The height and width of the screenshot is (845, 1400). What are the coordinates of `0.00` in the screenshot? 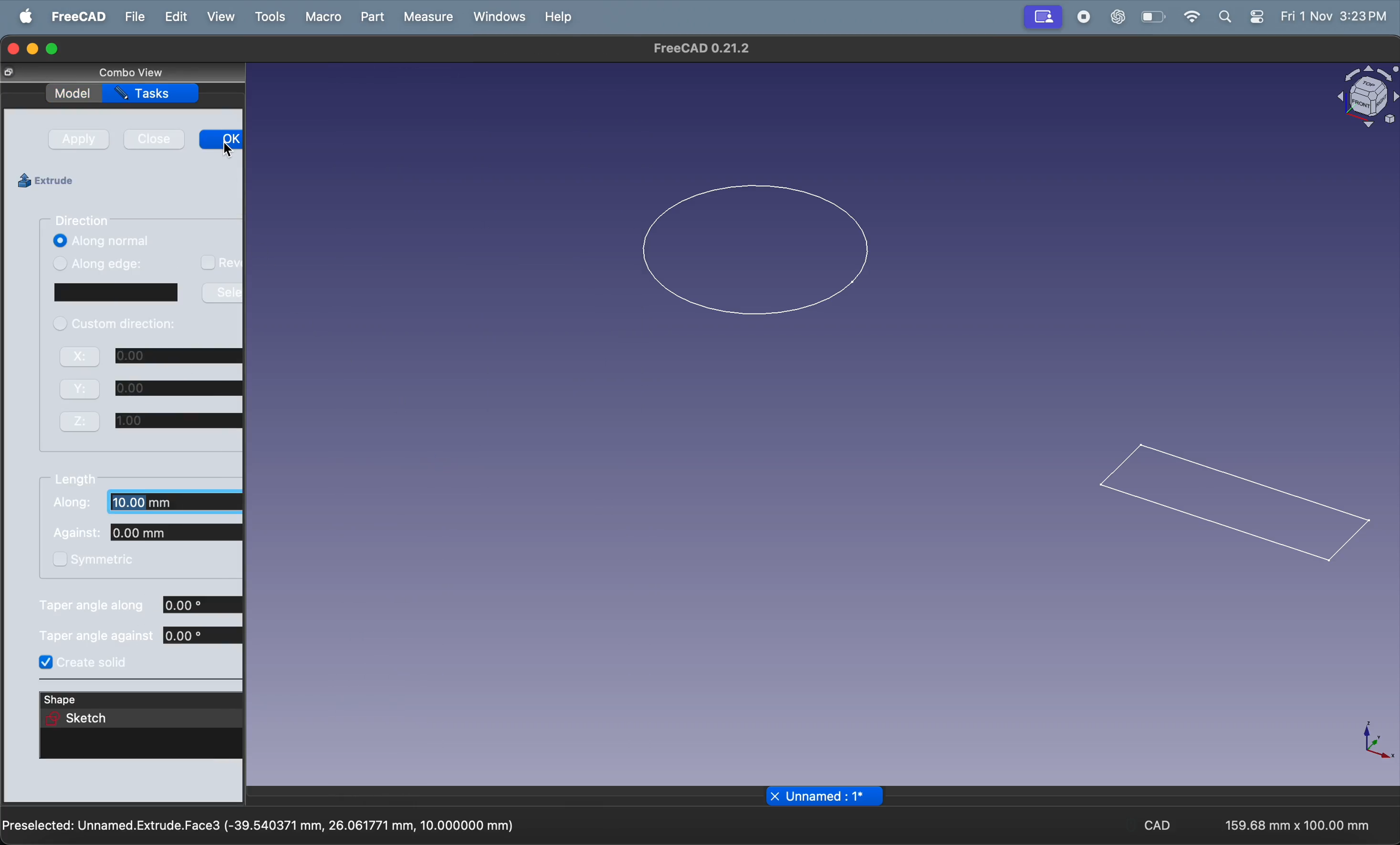 It's located at (179, 389).